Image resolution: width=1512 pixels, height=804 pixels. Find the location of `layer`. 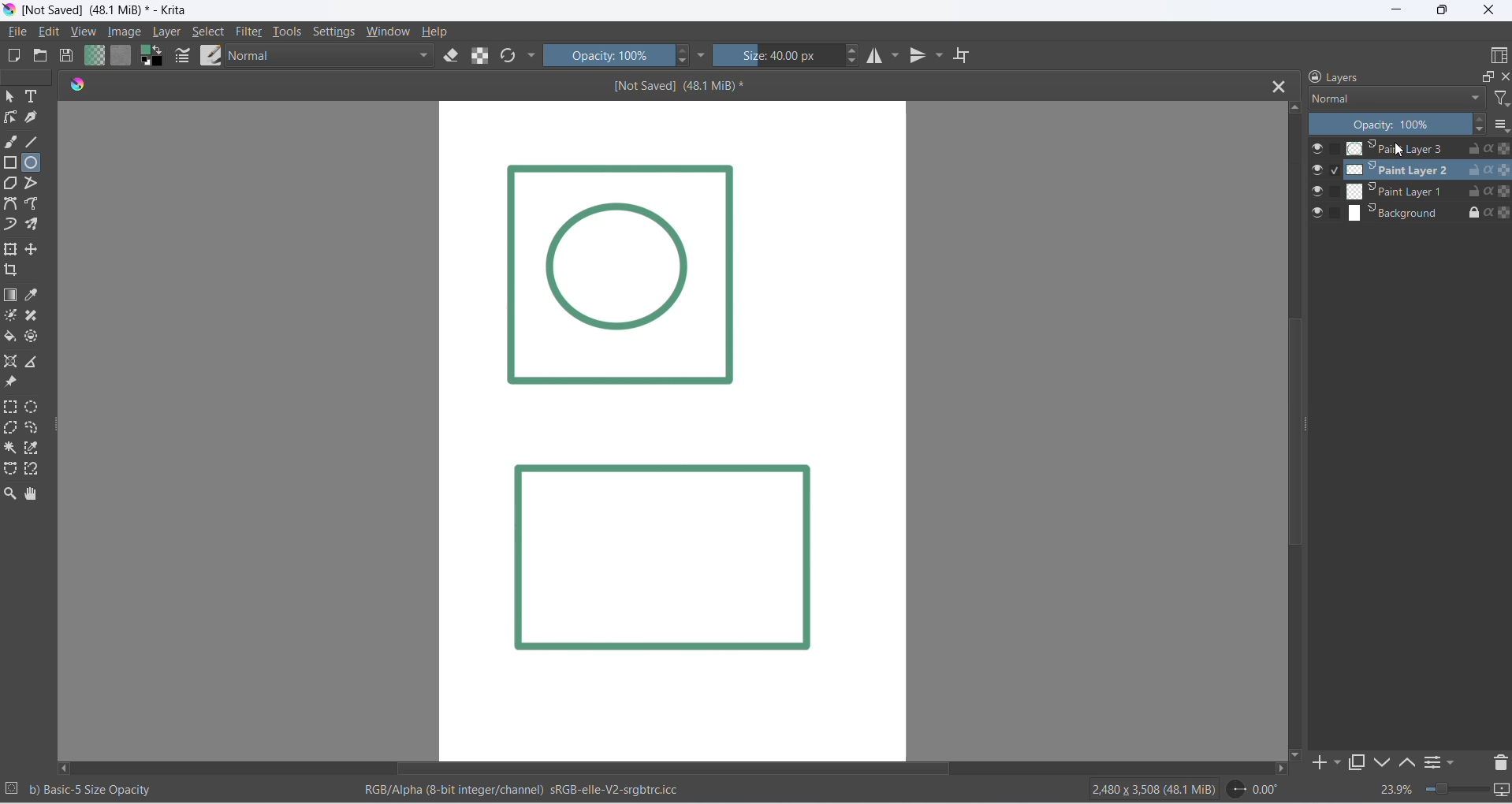

layer is located at coordinates (173, 33).